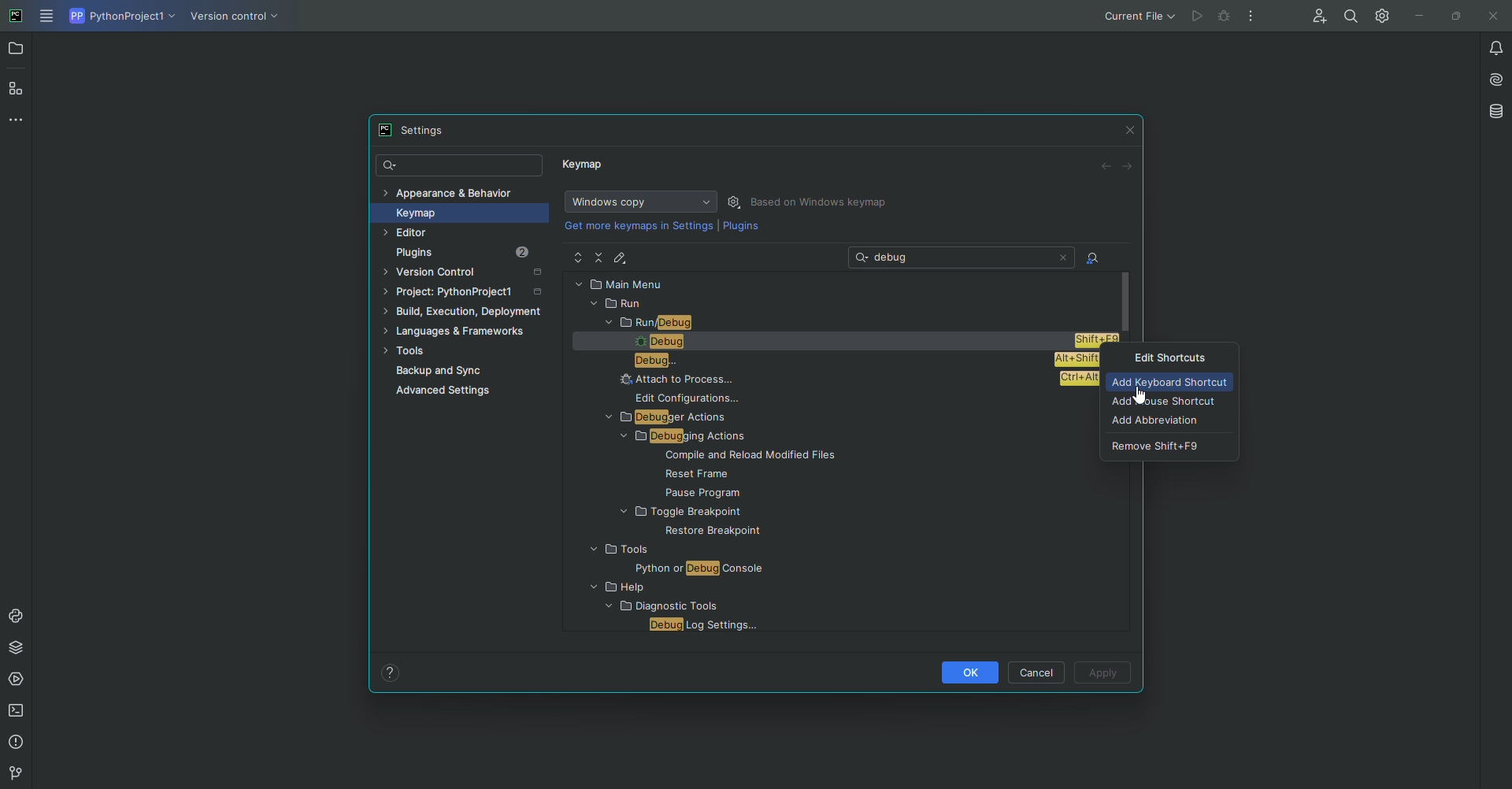 This screenshot has height=789, width=1512. I want to click on Project, so click(465, 294).